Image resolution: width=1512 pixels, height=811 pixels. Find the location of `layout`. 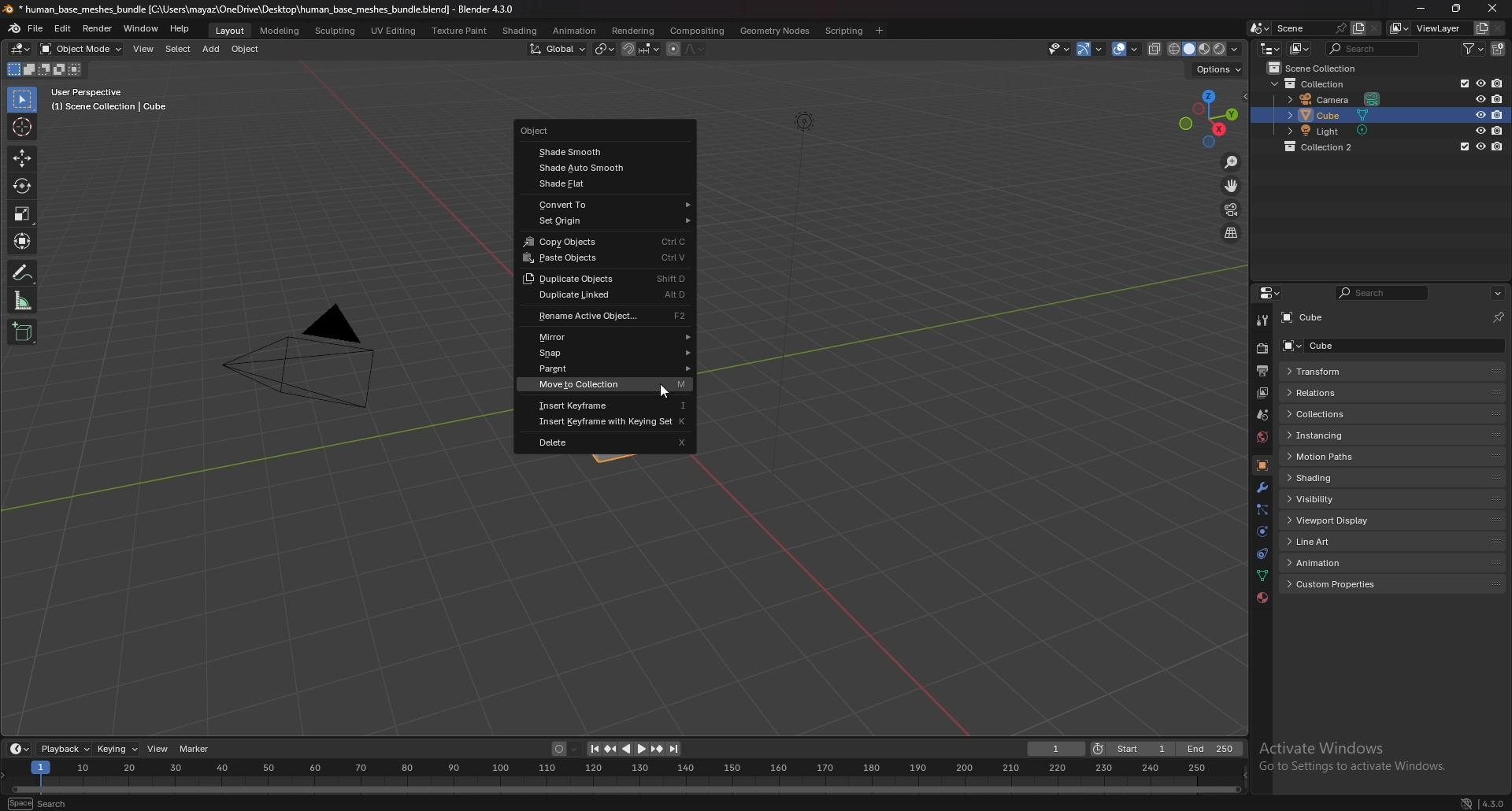

layout is located at coordinates (232, 31).